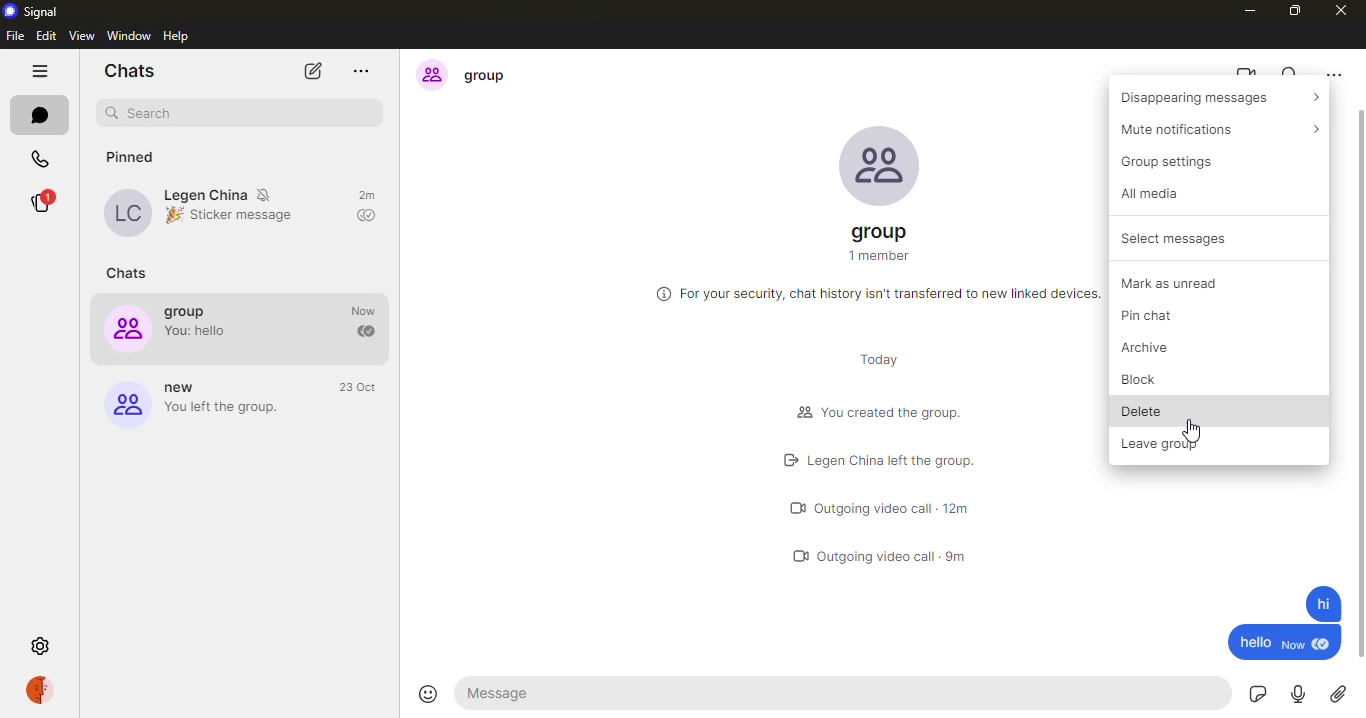 The image size is (1366, 718). What do you see at coordinates (368, 71) in the screenshot?
I see `more` at bounding box center [368, 71].